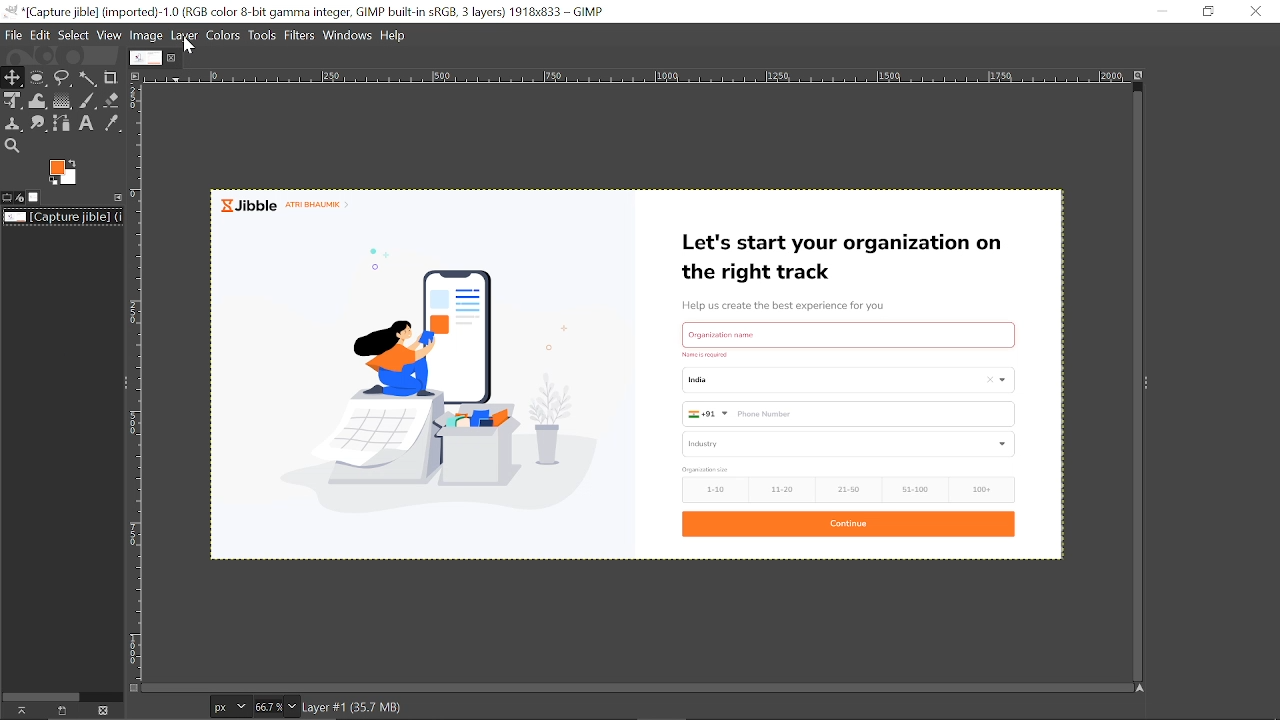 This screenshot has height=720, width=1280. What do you see at coordinates (60, 711) in the screenshot?
I see `Create a new display for this image` at bounding box center [60, 711].